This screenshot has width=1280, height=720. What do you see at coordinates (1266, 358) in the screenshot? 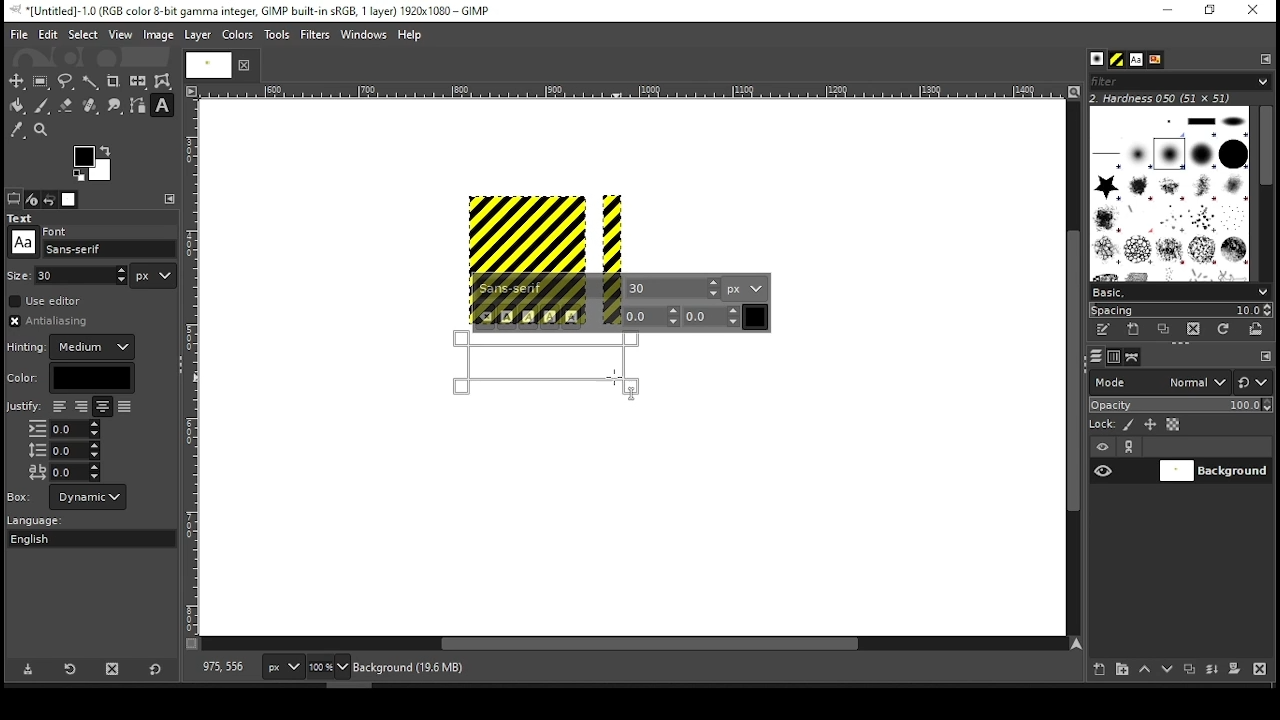
I see `configure this tab` at bounding box center [1266, 358].